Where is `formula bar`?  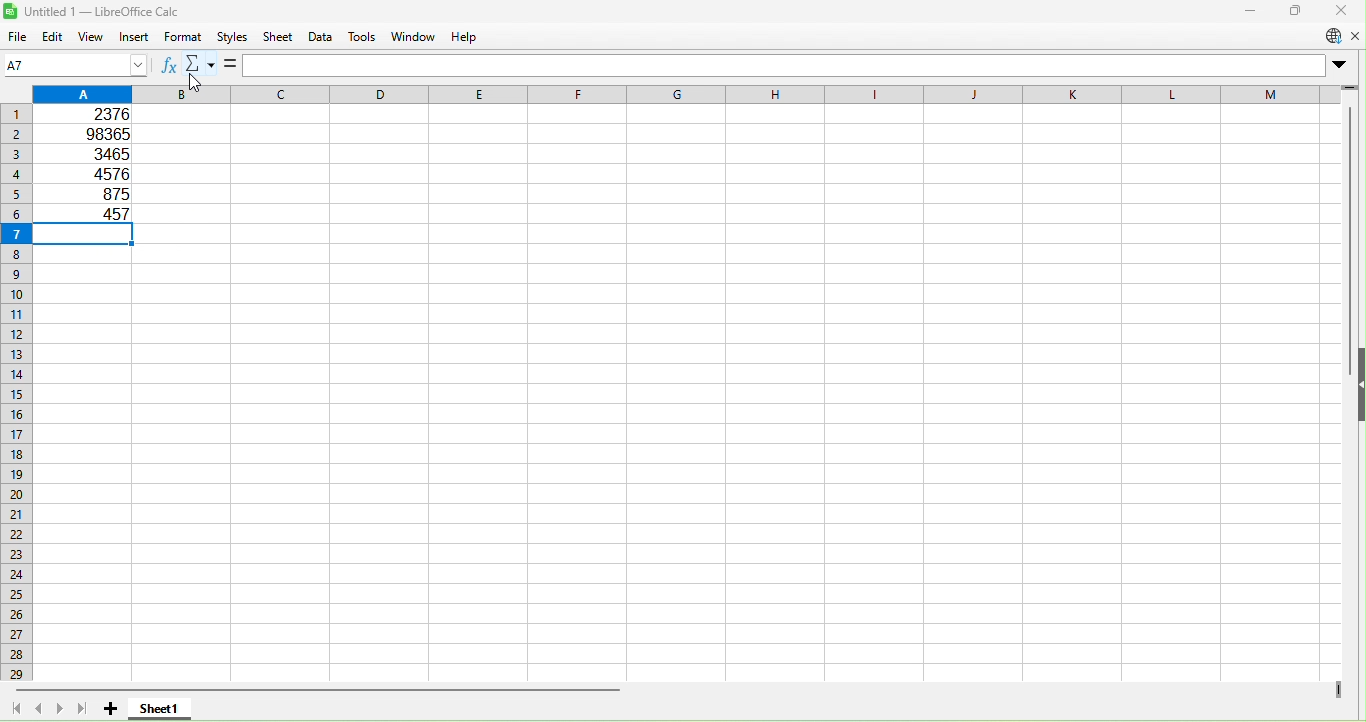
formula bar is located at coordinates (798, 65).